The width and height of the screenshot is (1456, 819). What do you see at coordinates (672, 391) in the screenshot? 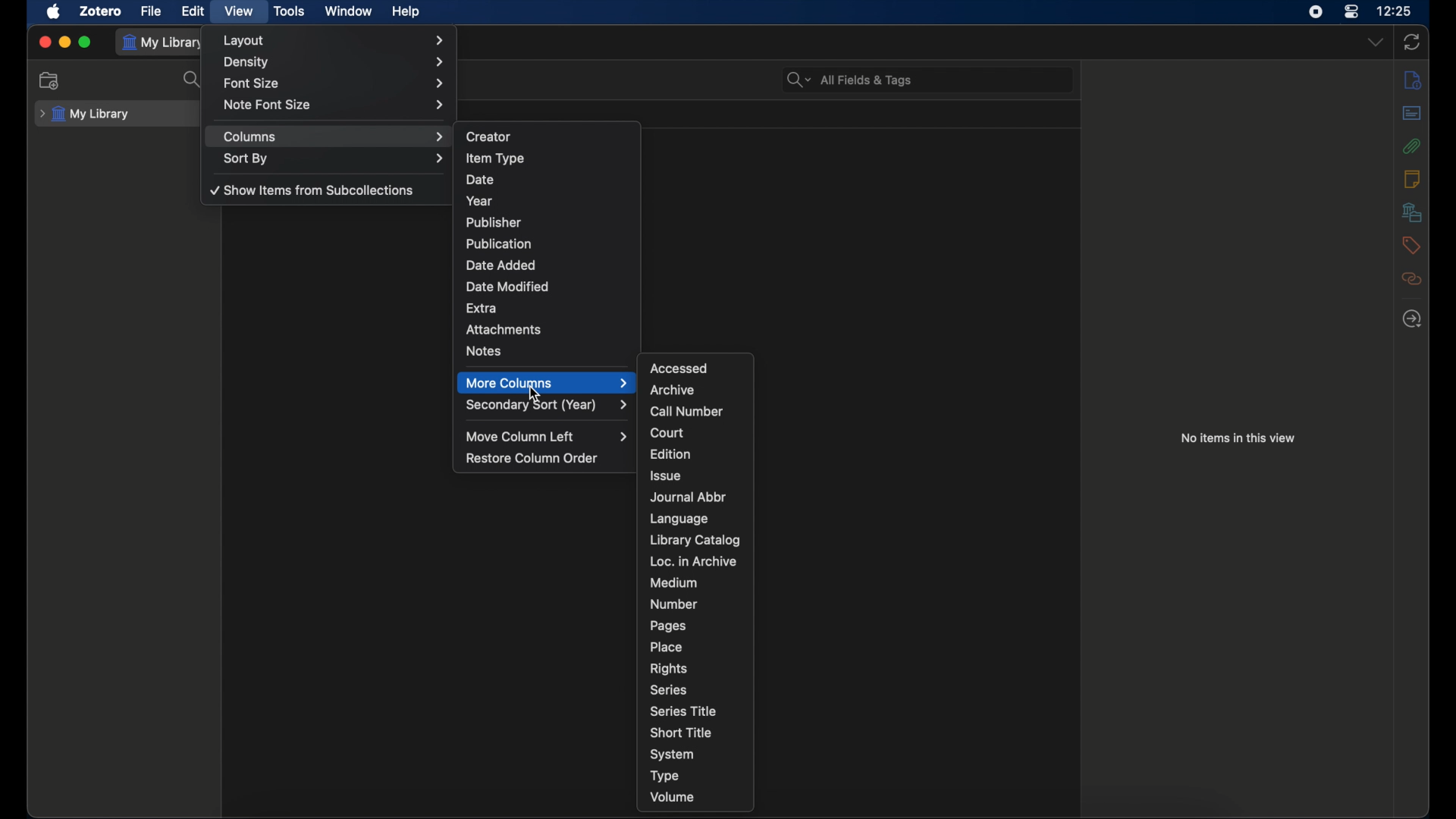
I see `archive` at bounding box center [672, 391].